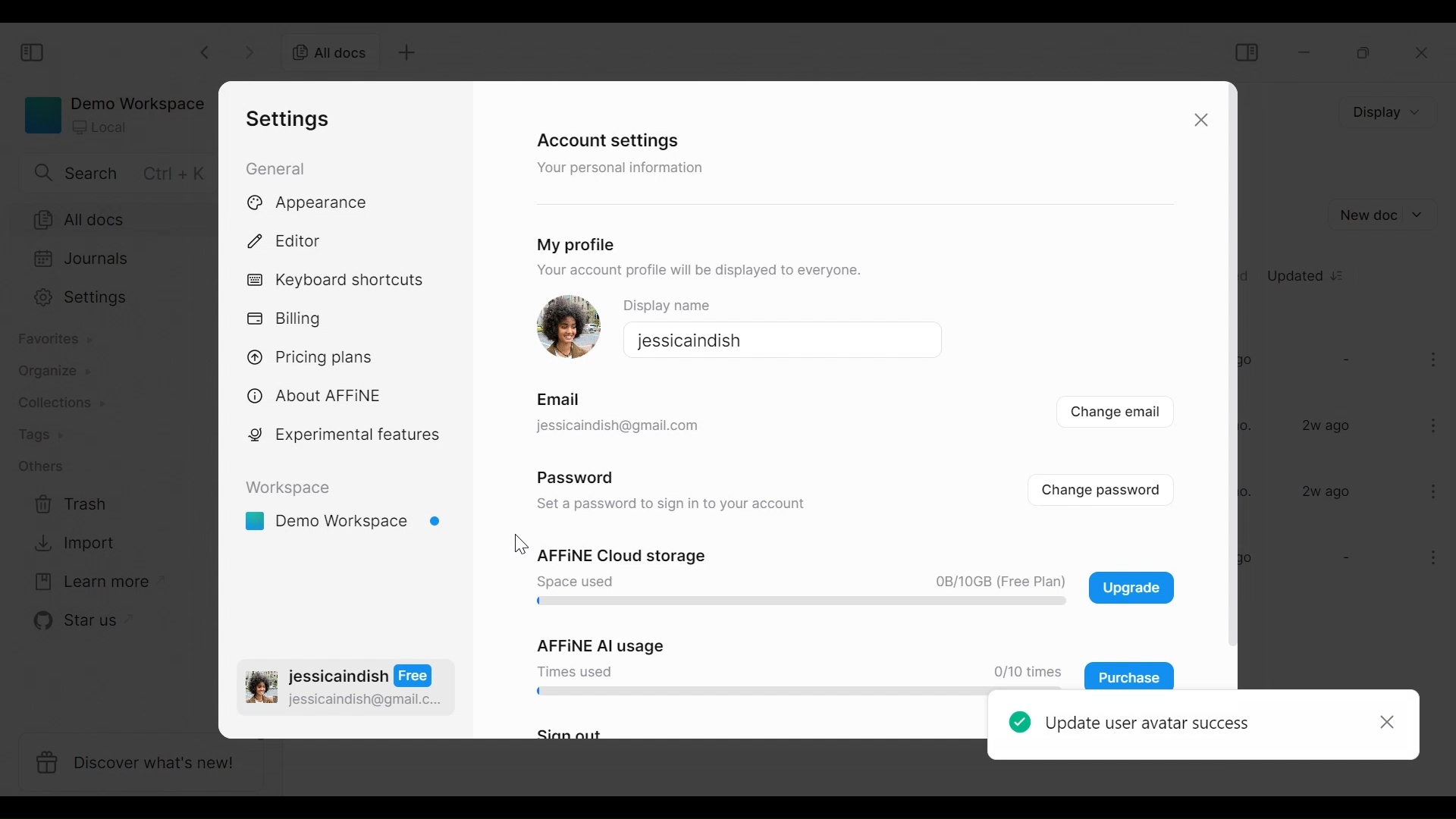 Image resolution: width=1456 pixels, height=819 pixels. What do you see at coordinates (1112, 488) in the screenshot?
I see `Change password` at bounding box center [1112, 488].